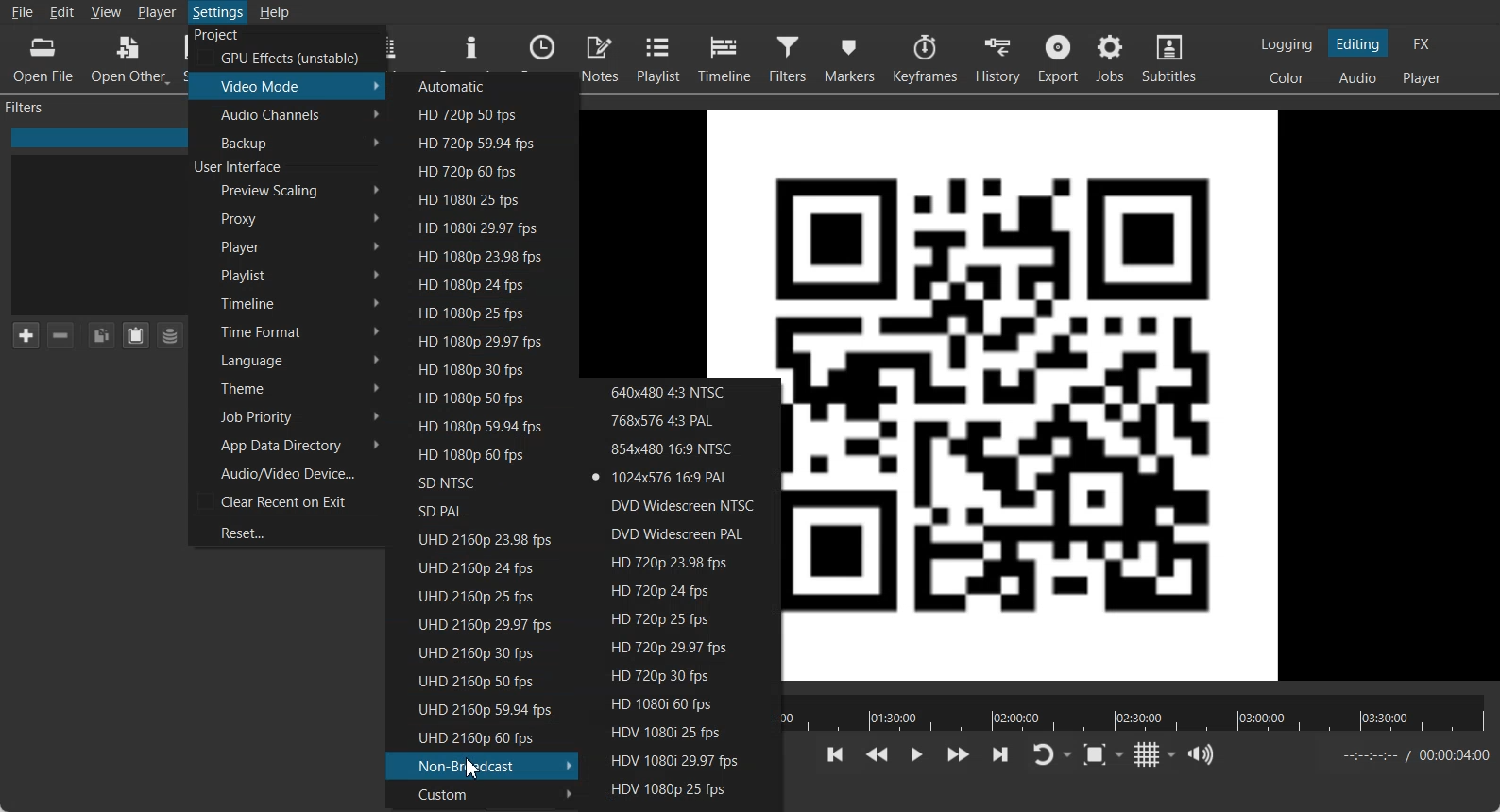  What do you see at coordinates (685, 533) in the screenshot?
I see `DVD Widescreen PAL` at bounding box center [685, 533].